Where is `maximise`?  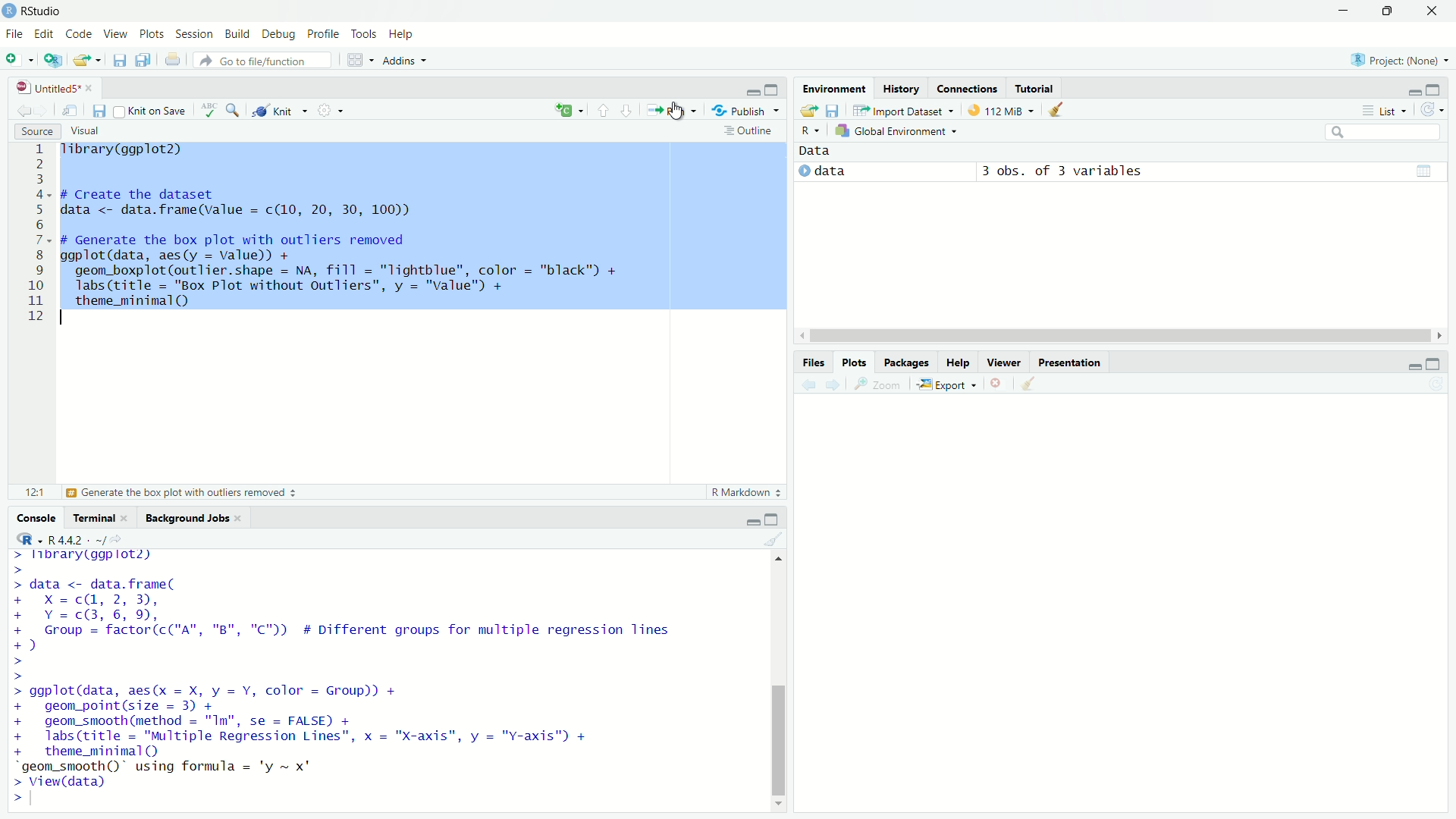 maximise is located at coordinates (1392, 14).